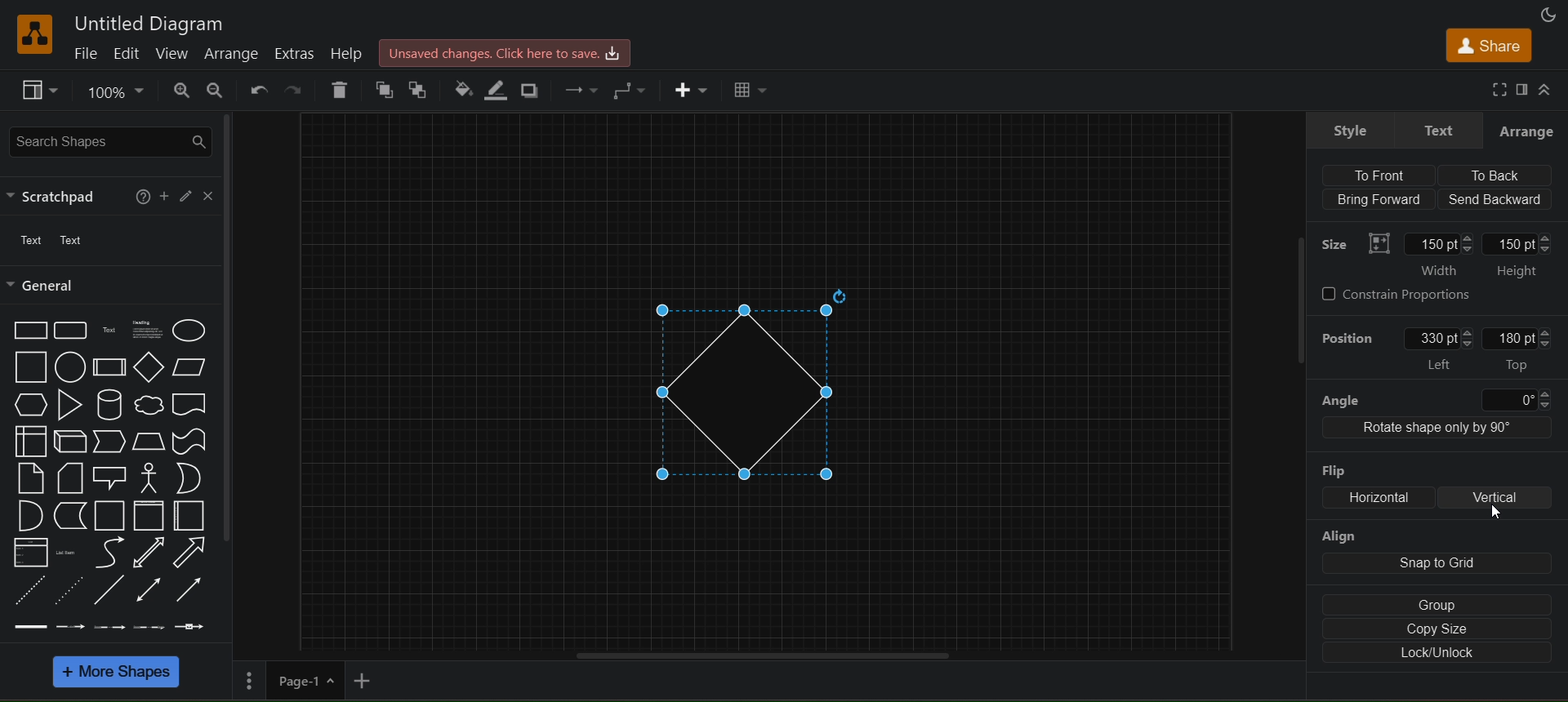 The width and height of the screenshot is (1568, 702). What do you see at coordinates (42, 90) in the screenshot?
I see `view` at bounding box center [42, 90].